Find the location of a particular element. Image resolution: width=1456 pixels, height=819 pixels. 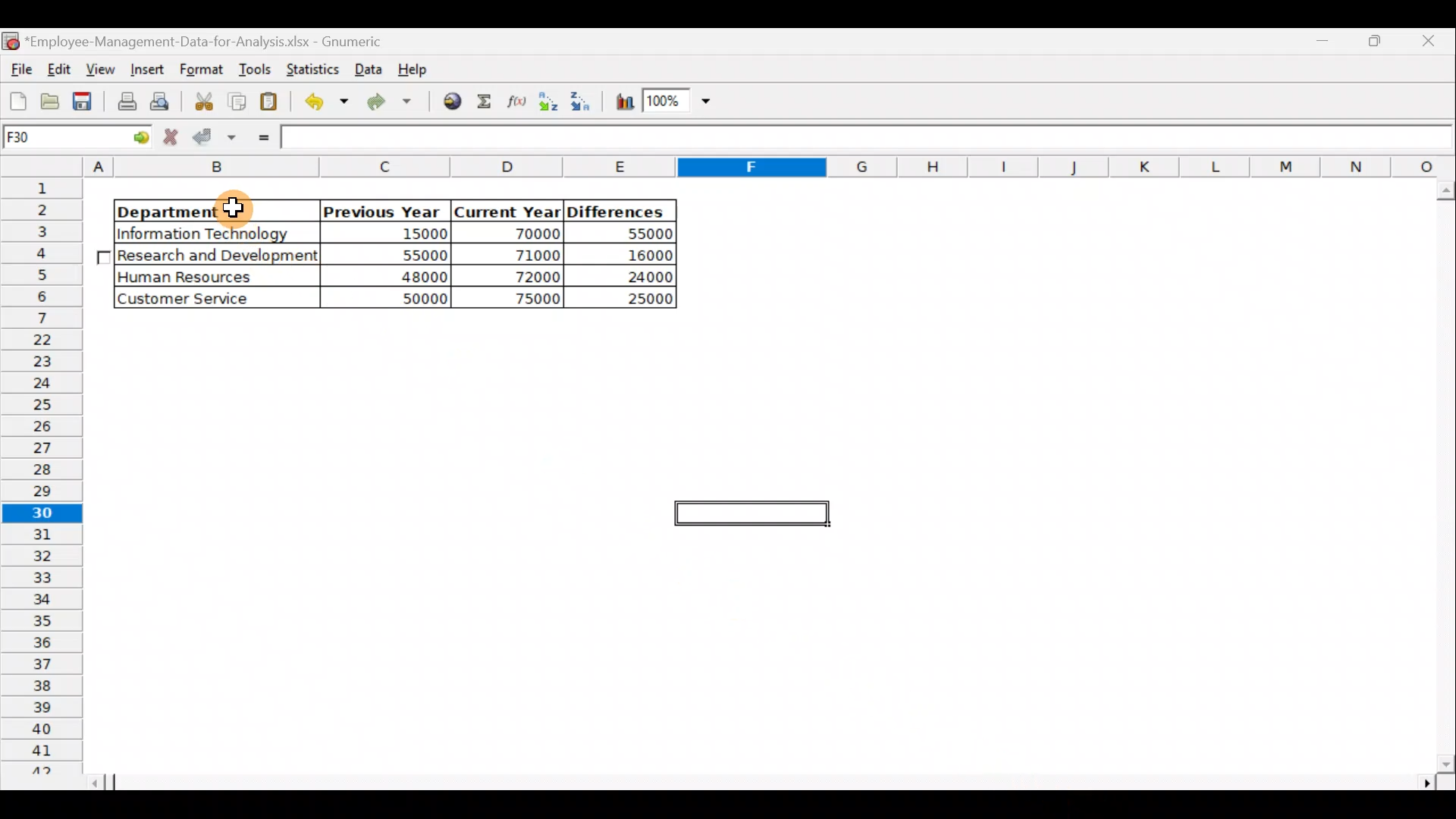

Maximize is located at coordinates (1328, 43).